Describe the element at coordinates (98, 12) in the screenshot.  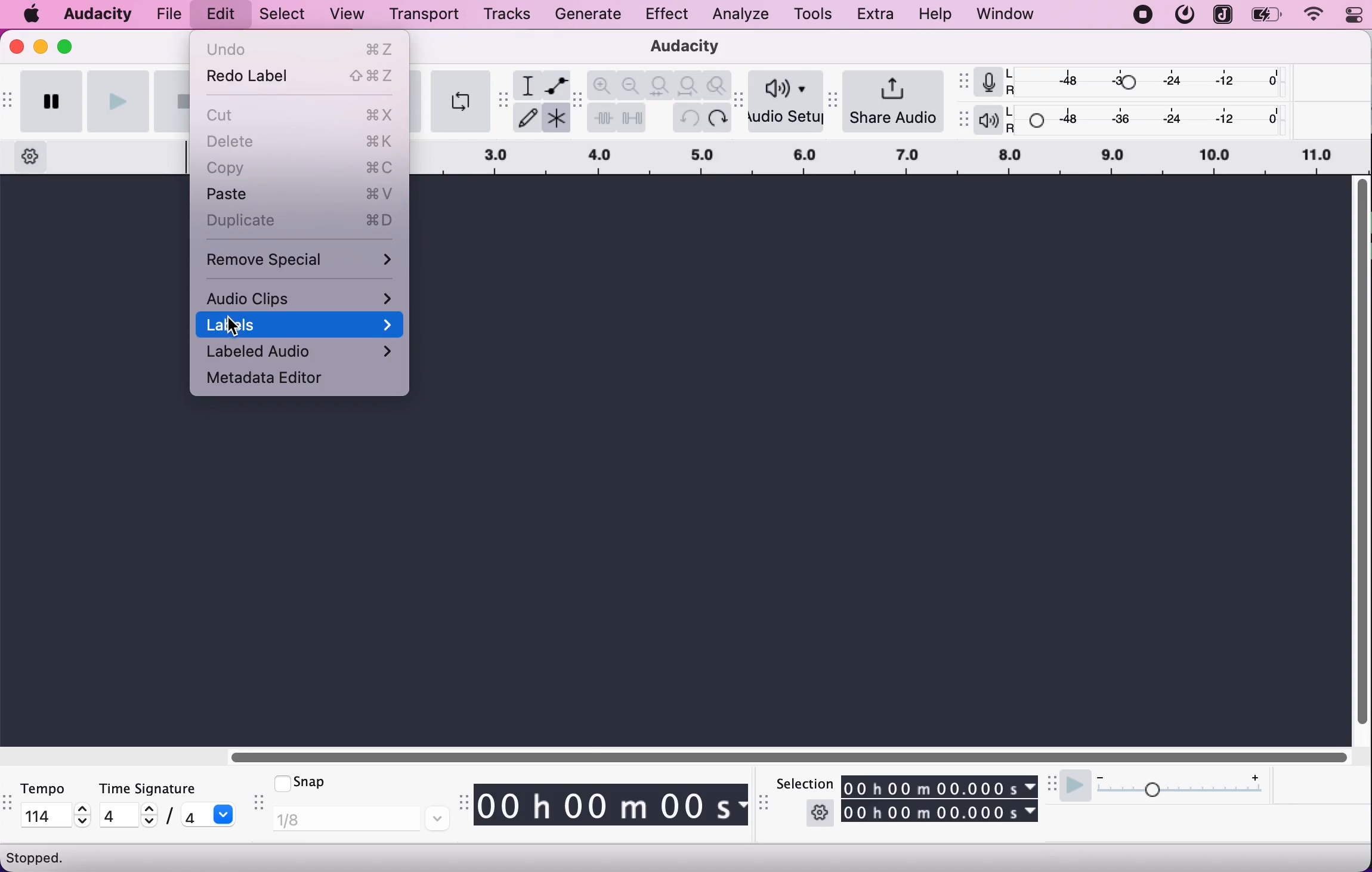
I see `audacity` at that location.